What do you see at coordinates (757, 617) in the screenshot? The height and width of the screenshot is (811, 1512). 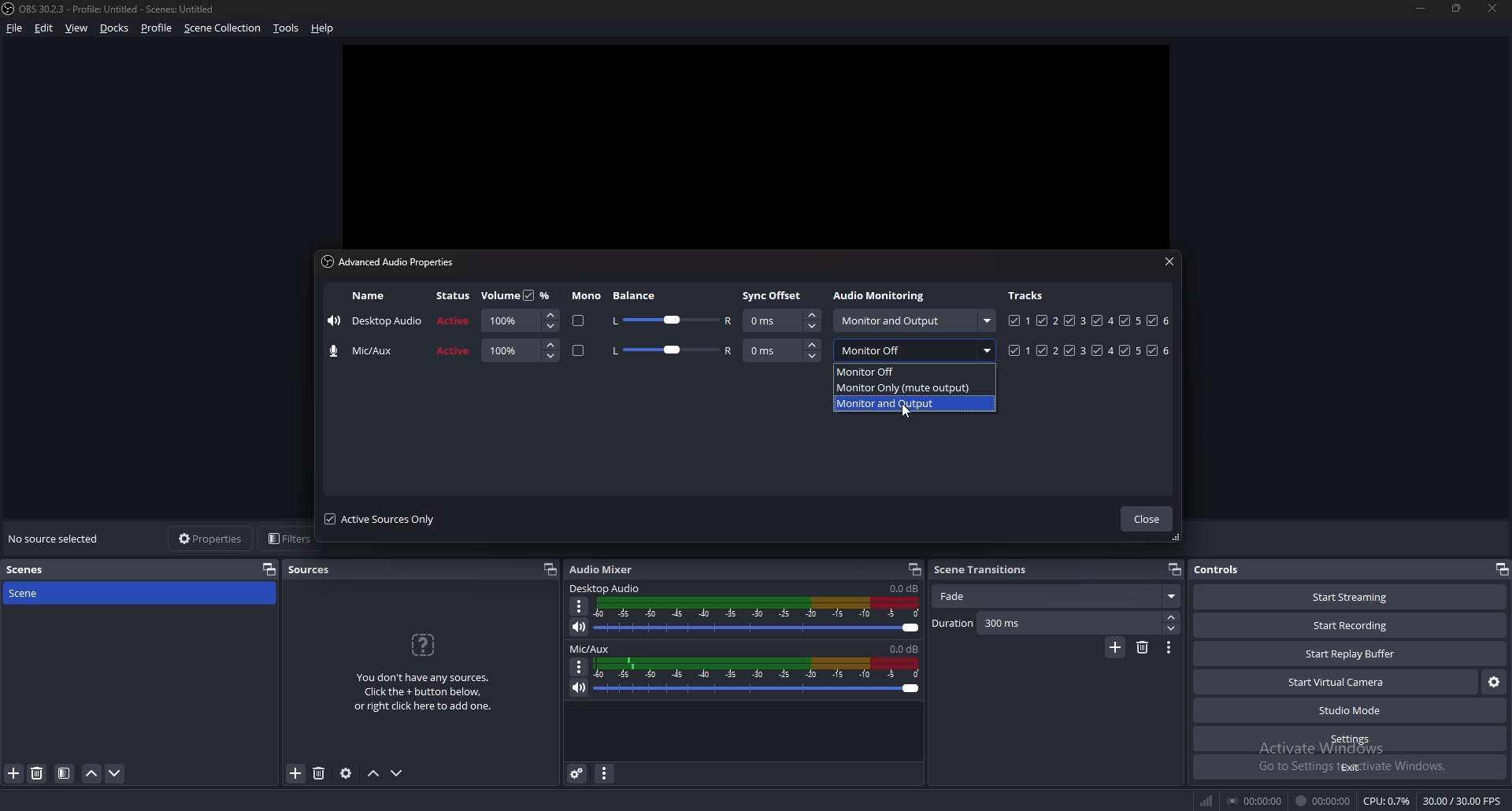 I see `volume adjust` at bounding box center [757, 617].